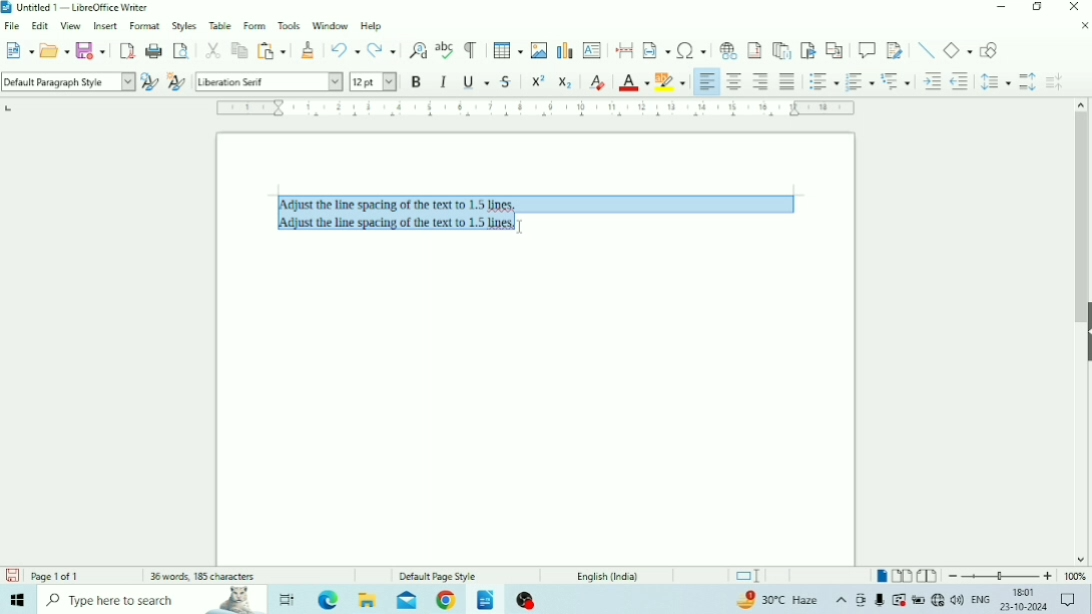  I want to click on LibreOffice Writer, so click(484, 600).